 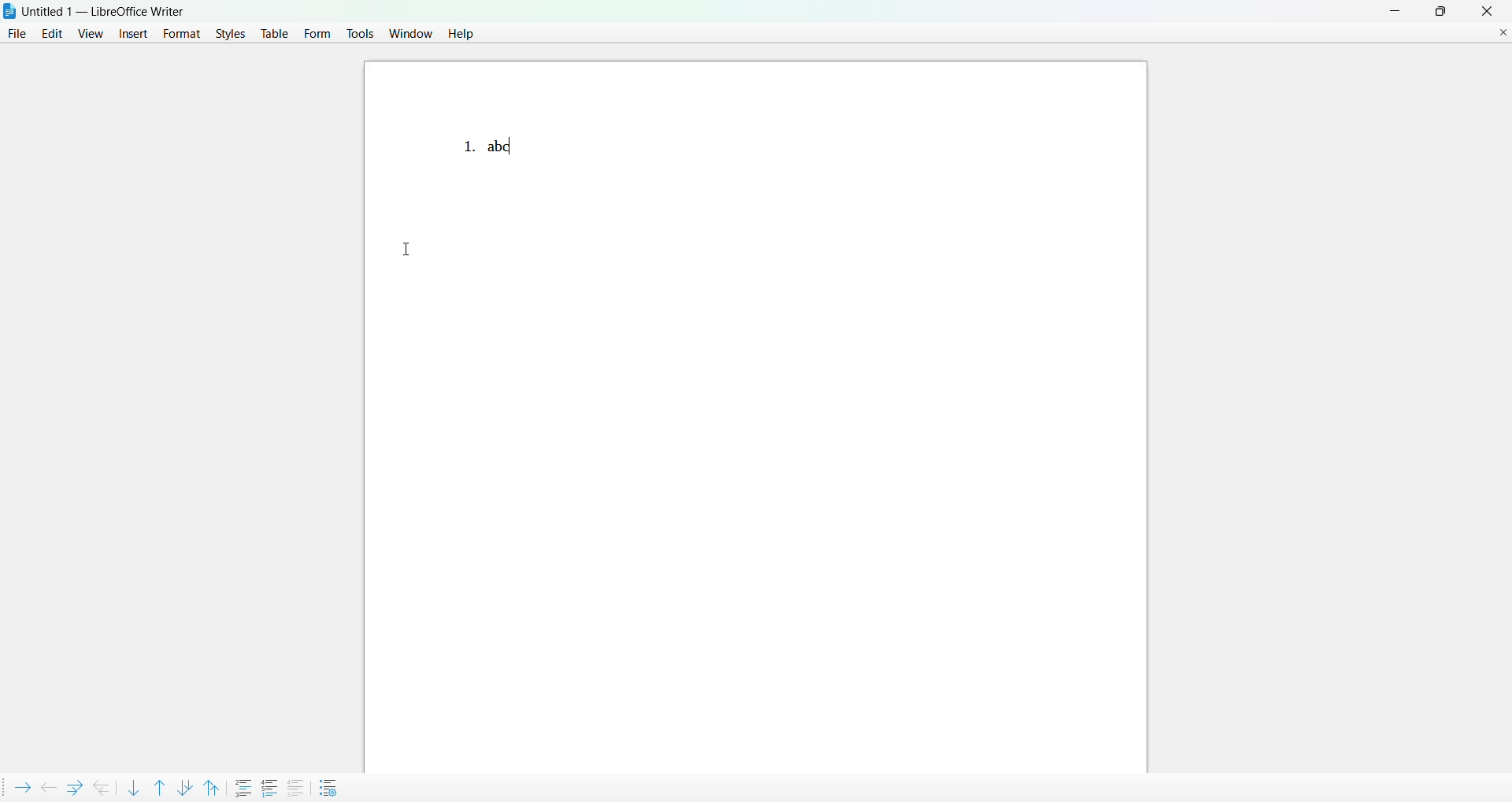 I want to click on table, so click(x=274, y=35).